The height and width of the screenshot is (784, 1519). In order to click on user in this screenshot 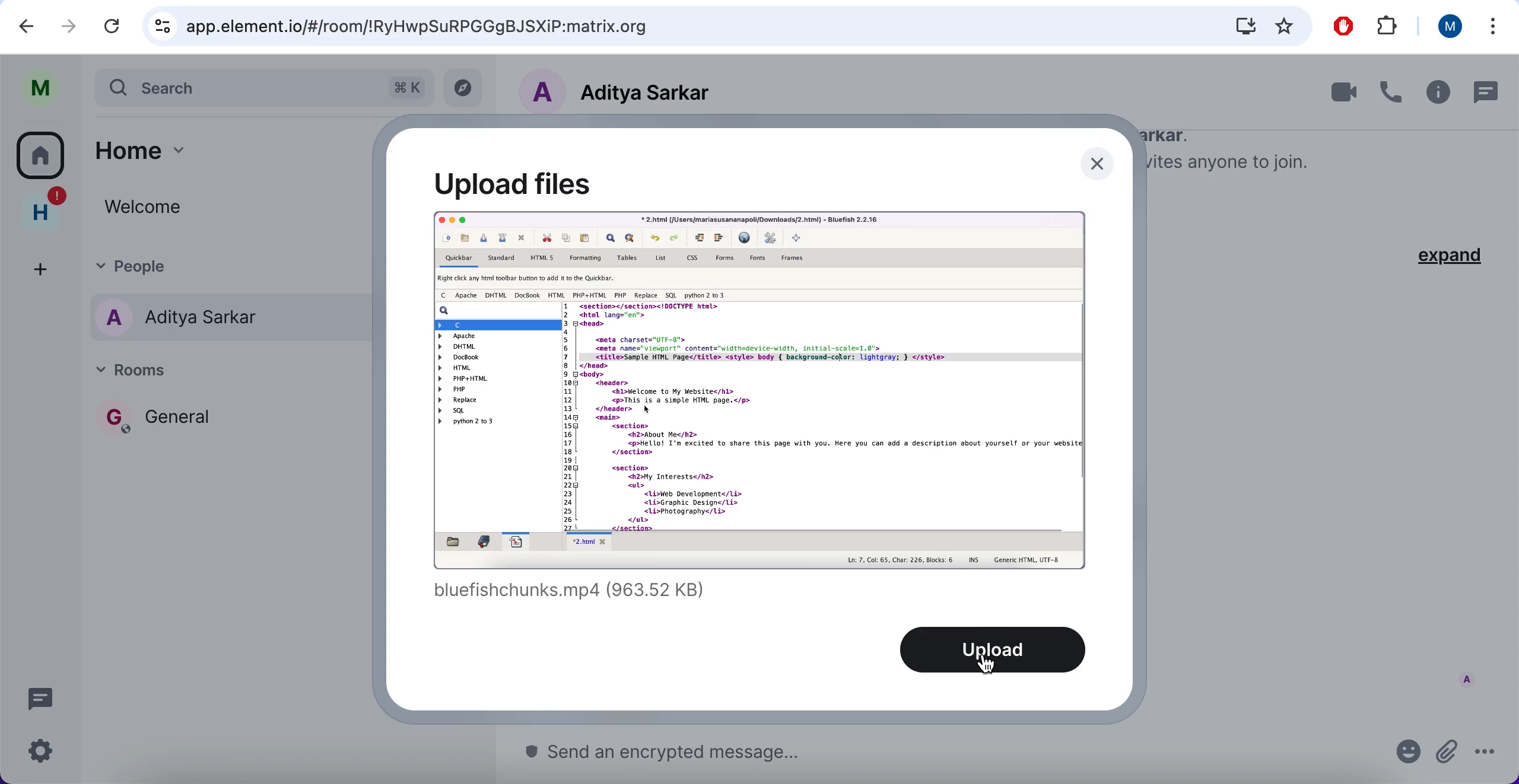, I will do `click(1449, 30)`.